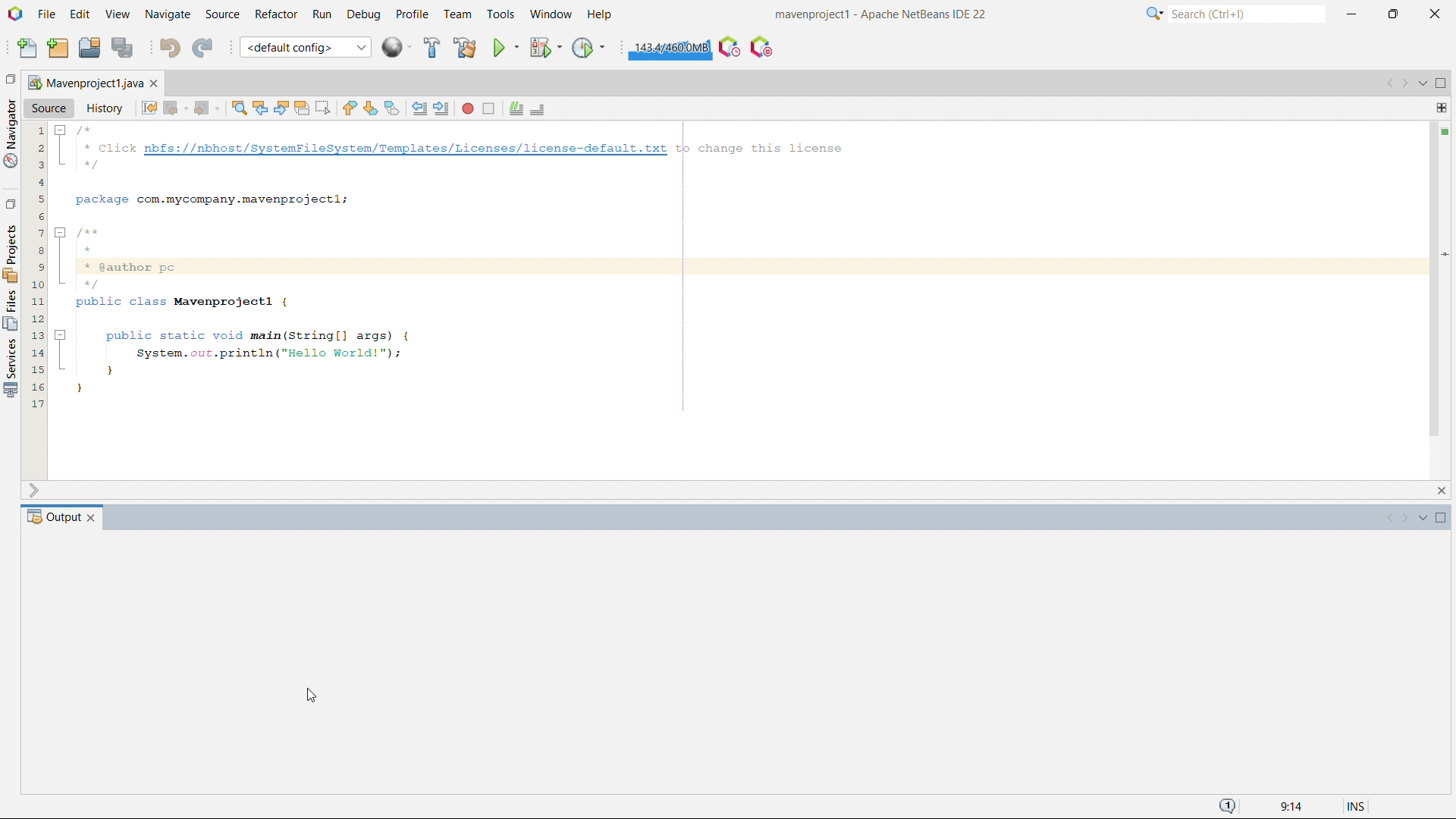  What do you see at coordinates (203, 45) in the screenshot?
I see `redo` at bounding box center [203, 45].